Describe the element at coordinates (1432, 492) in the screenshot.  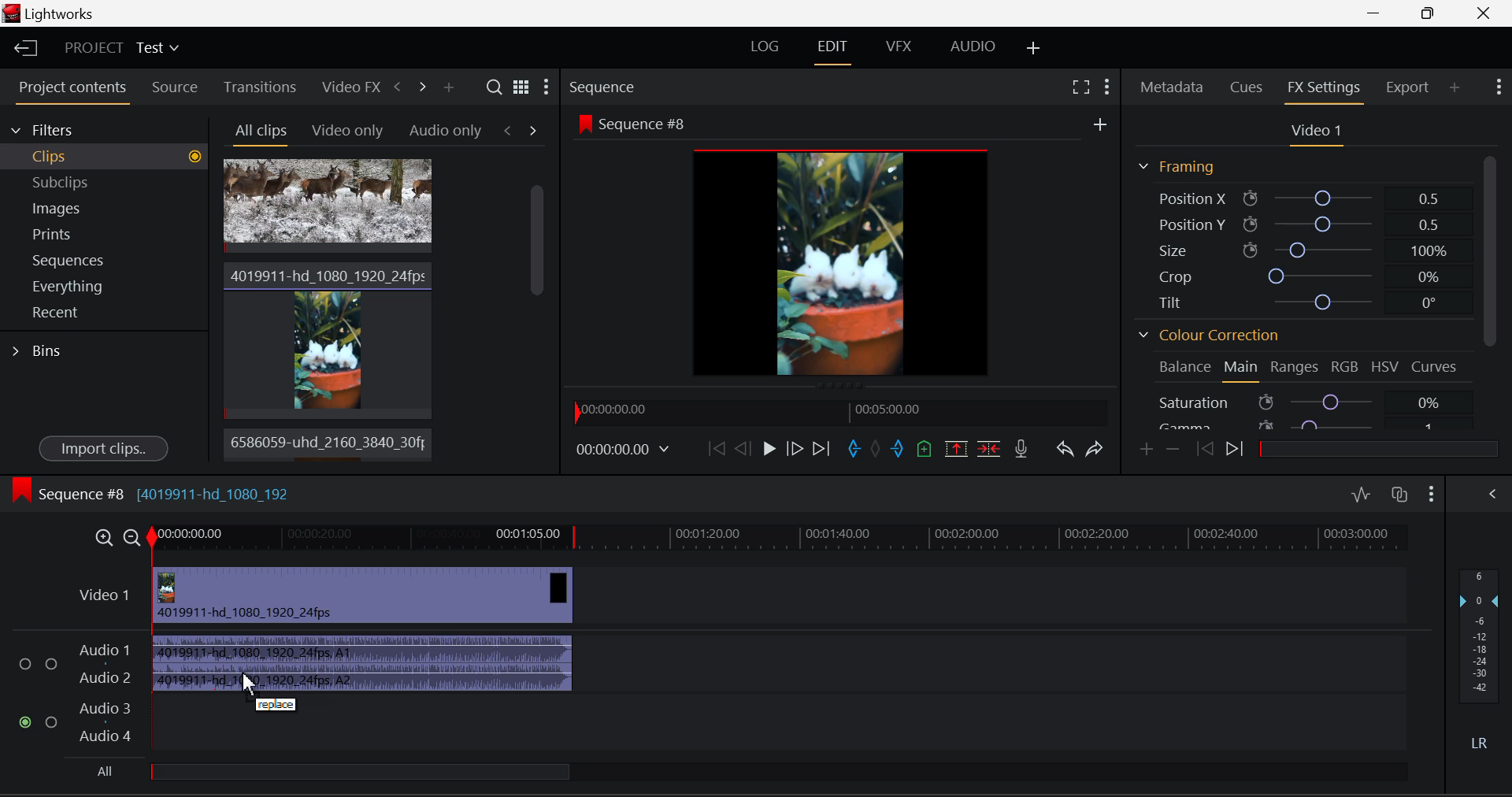
I see `Show Settings` at that location.